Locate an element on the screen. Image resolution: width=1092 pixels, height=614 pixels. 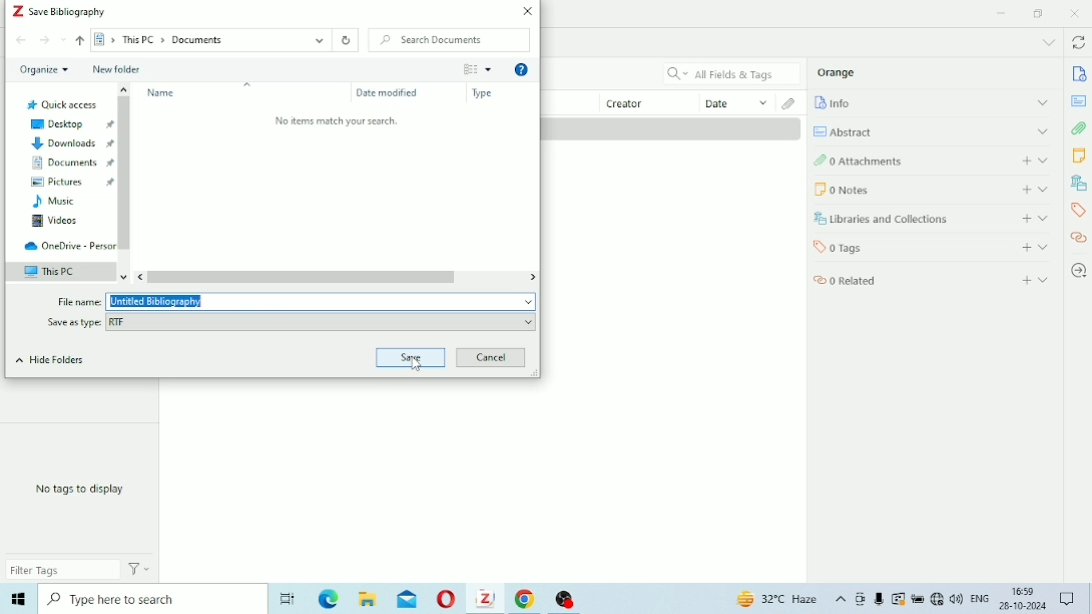
Up is located at coordinates (124, 89).